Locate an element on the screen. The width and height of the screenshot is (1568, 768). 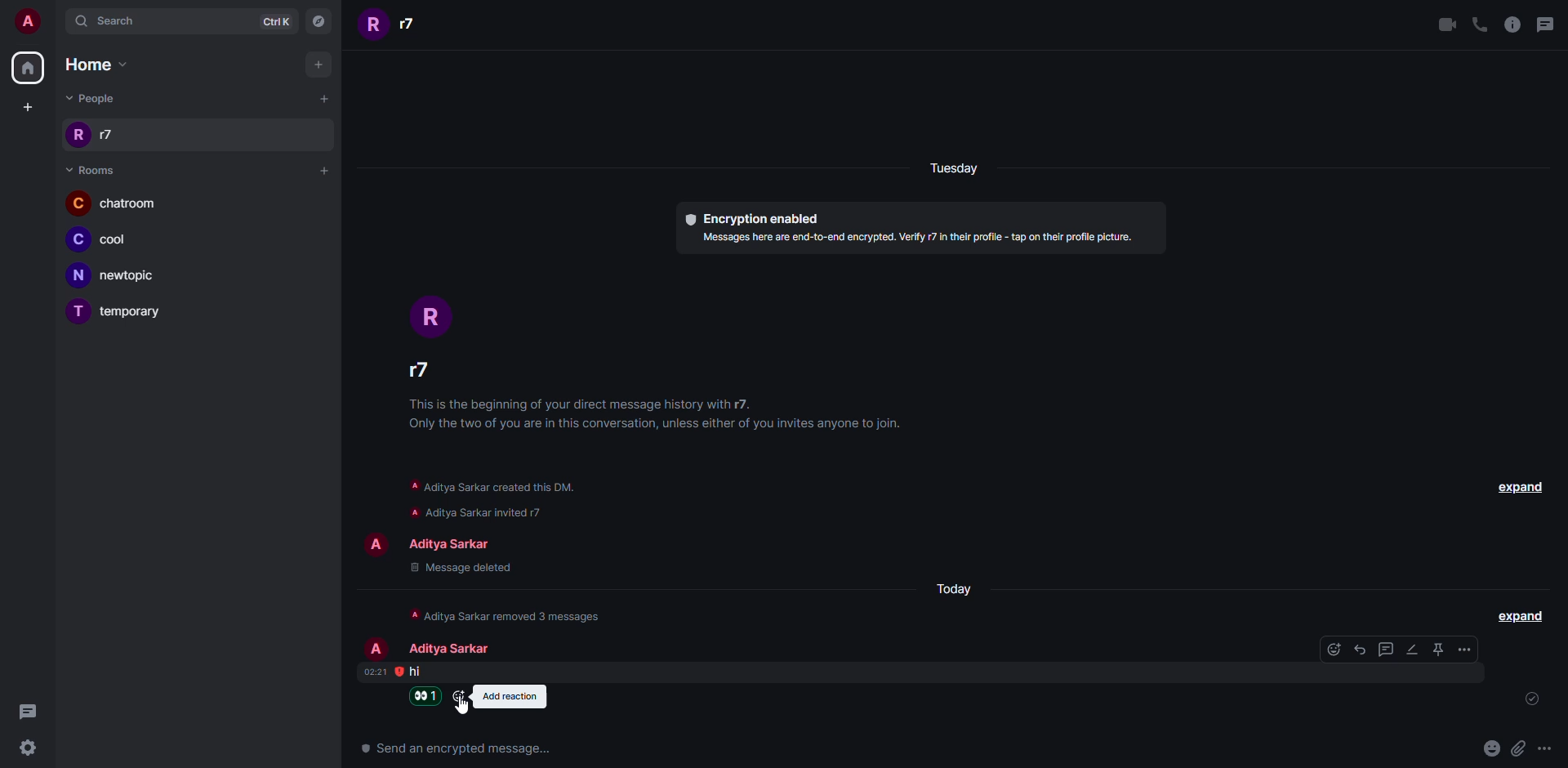
info is located at coordinates (654, 417).